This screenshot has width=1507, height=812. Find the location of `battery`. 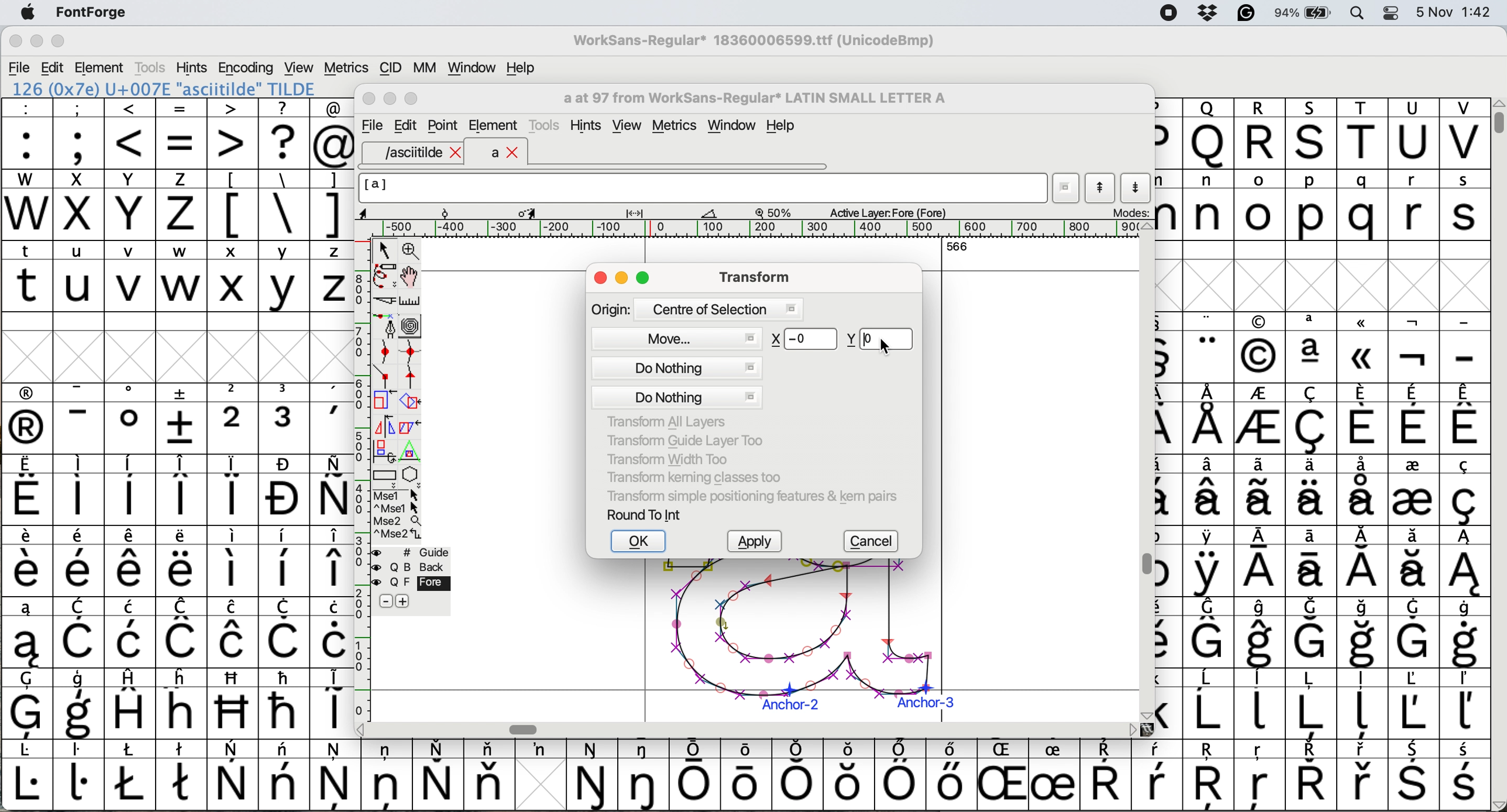

battery is located at coordinates (1308, 12).